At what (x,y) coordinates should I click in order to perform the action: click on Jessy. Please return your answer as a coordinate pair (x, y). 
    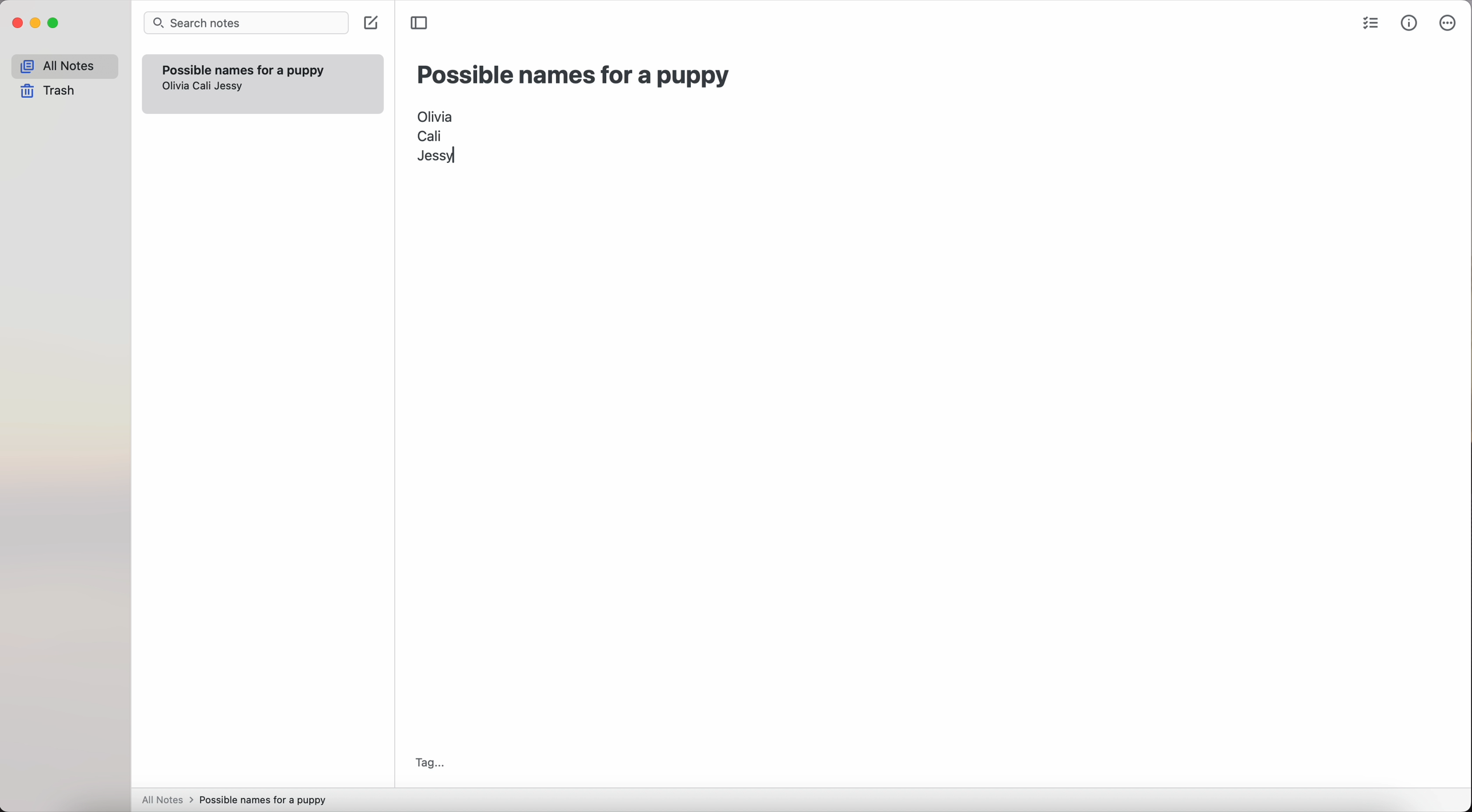
    Looking at the image, I should click on (438, 157).